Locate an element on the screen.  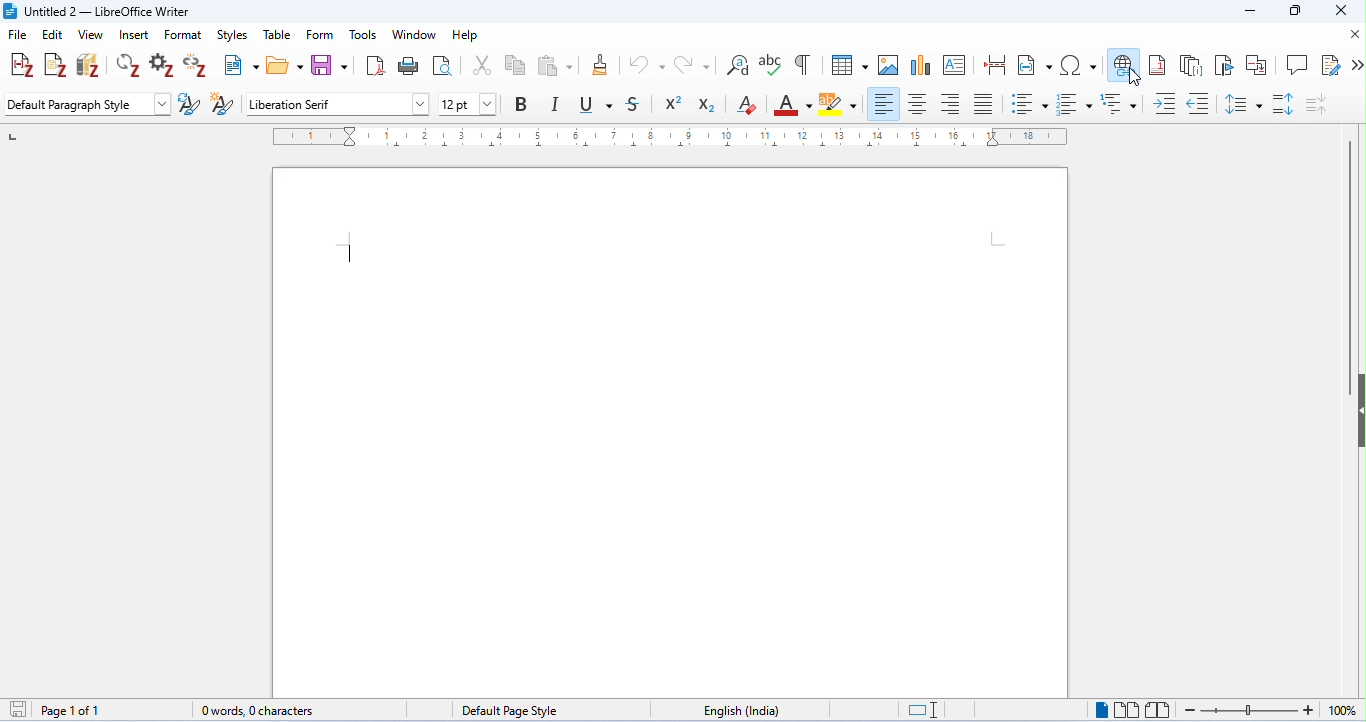
add/edit citations is located at coordinates (23, 67).